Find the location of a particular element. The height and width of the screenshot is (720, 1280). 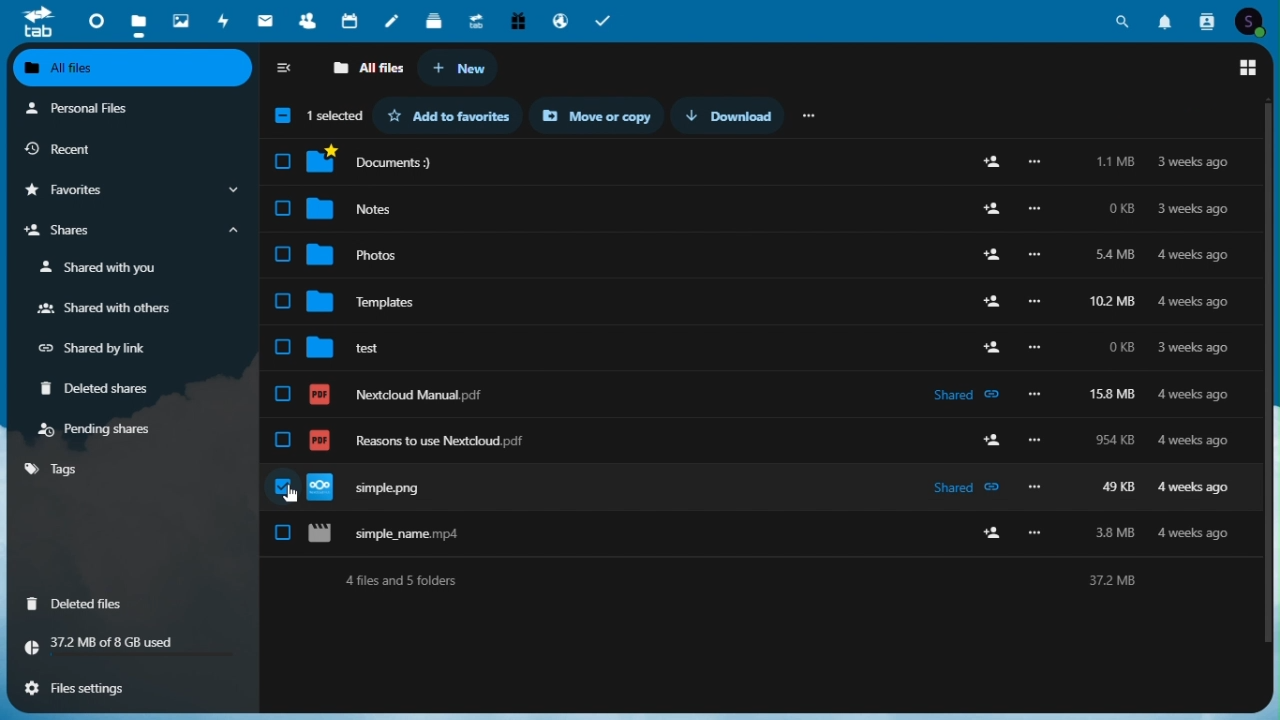

recent is located at coordinates (129, 149).